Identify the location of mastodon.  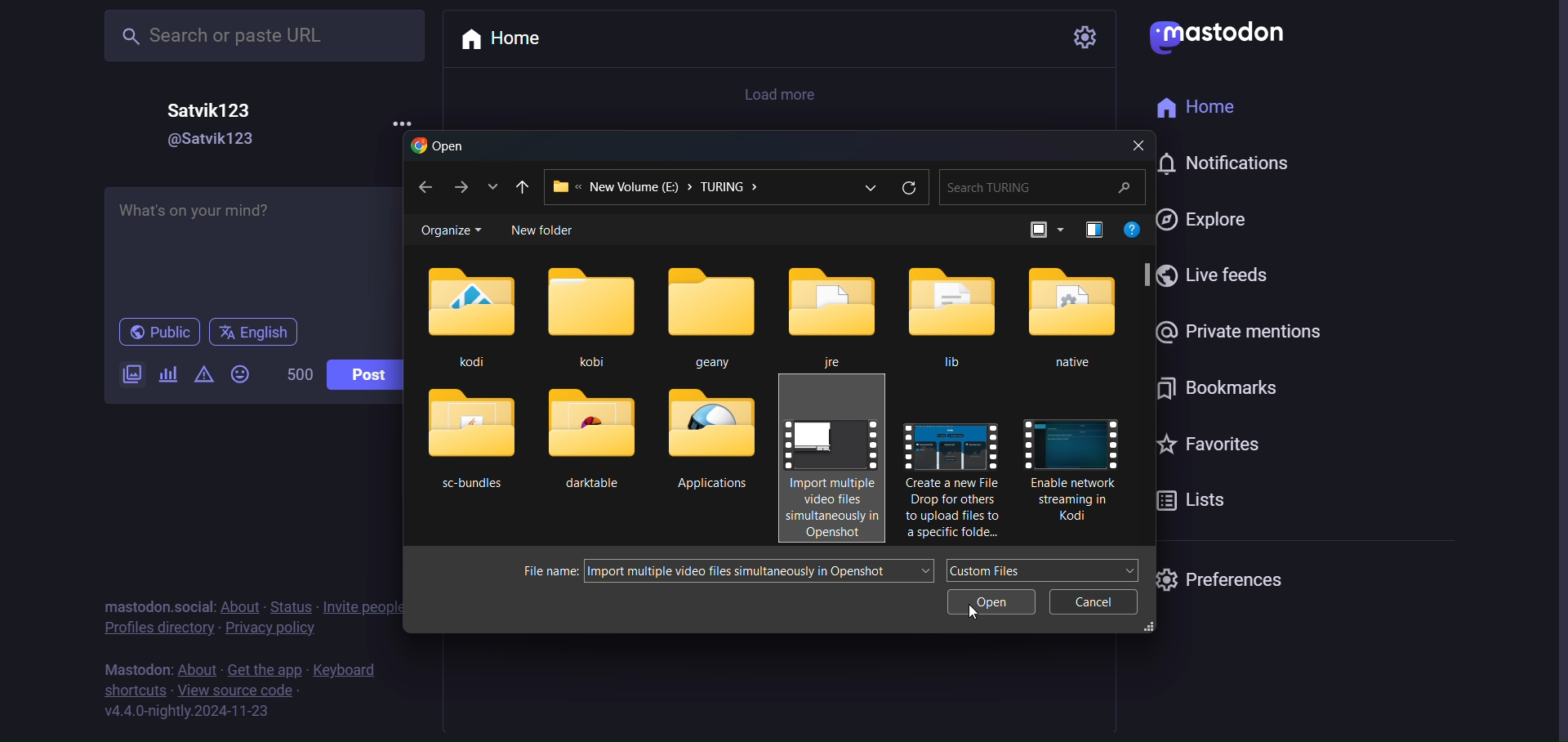
(1220, 33).